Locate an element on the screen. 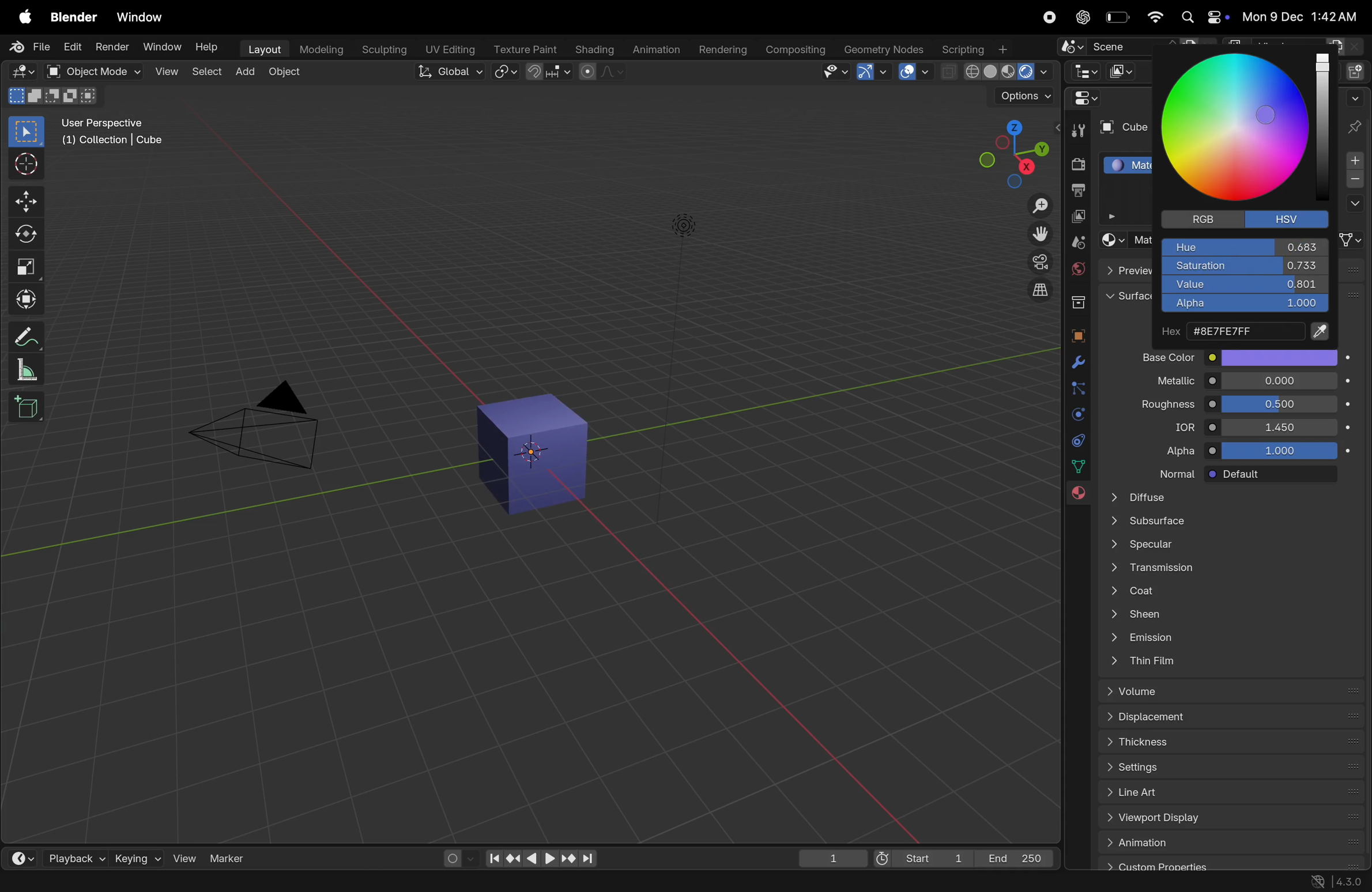 The height and width of the screenshot is (892, 1372). Spectular is located at coordinates (1226, 547).